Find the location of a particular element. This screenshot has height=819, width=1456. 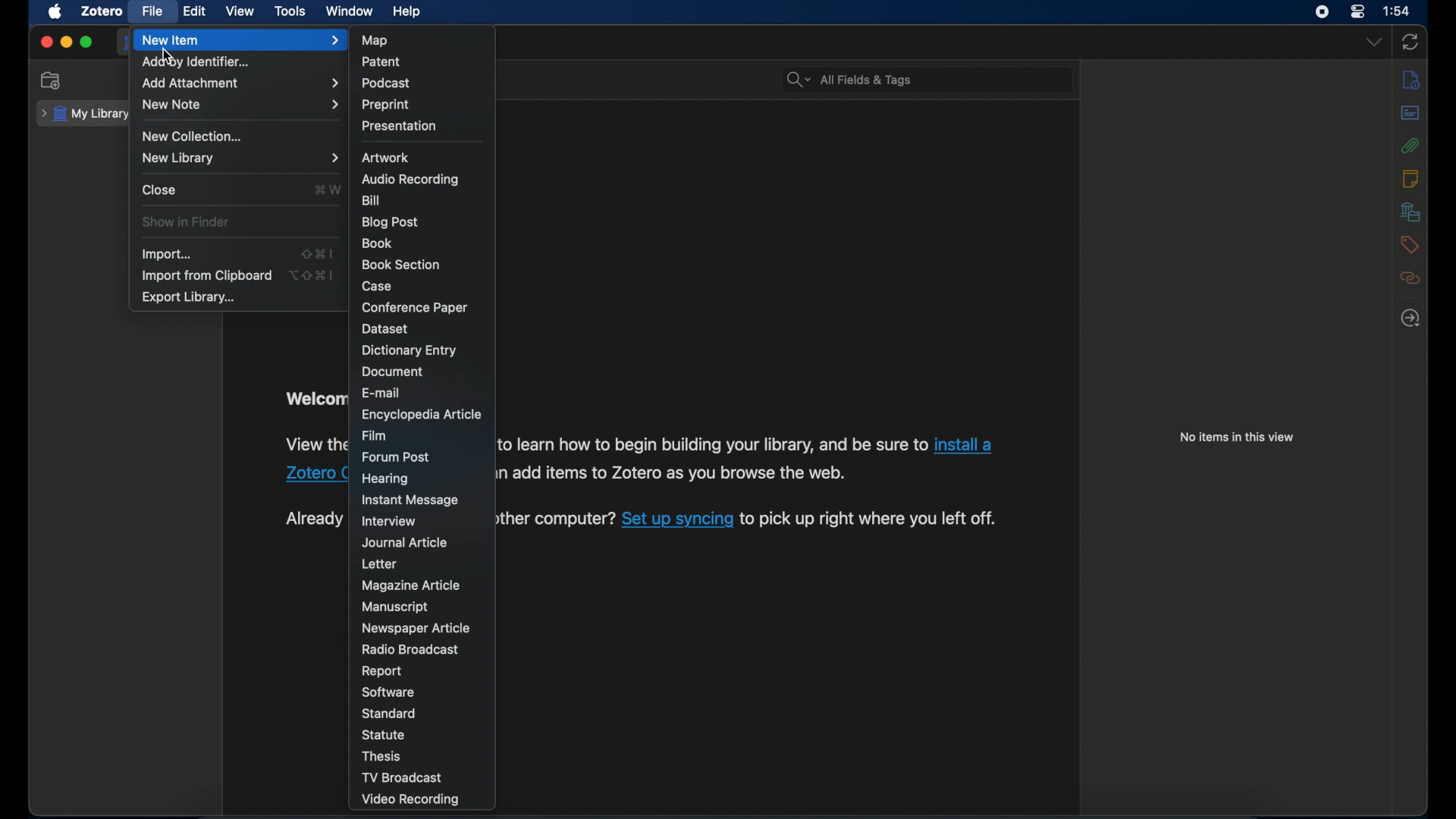

dropdown is located at coordinates (1373, 42).